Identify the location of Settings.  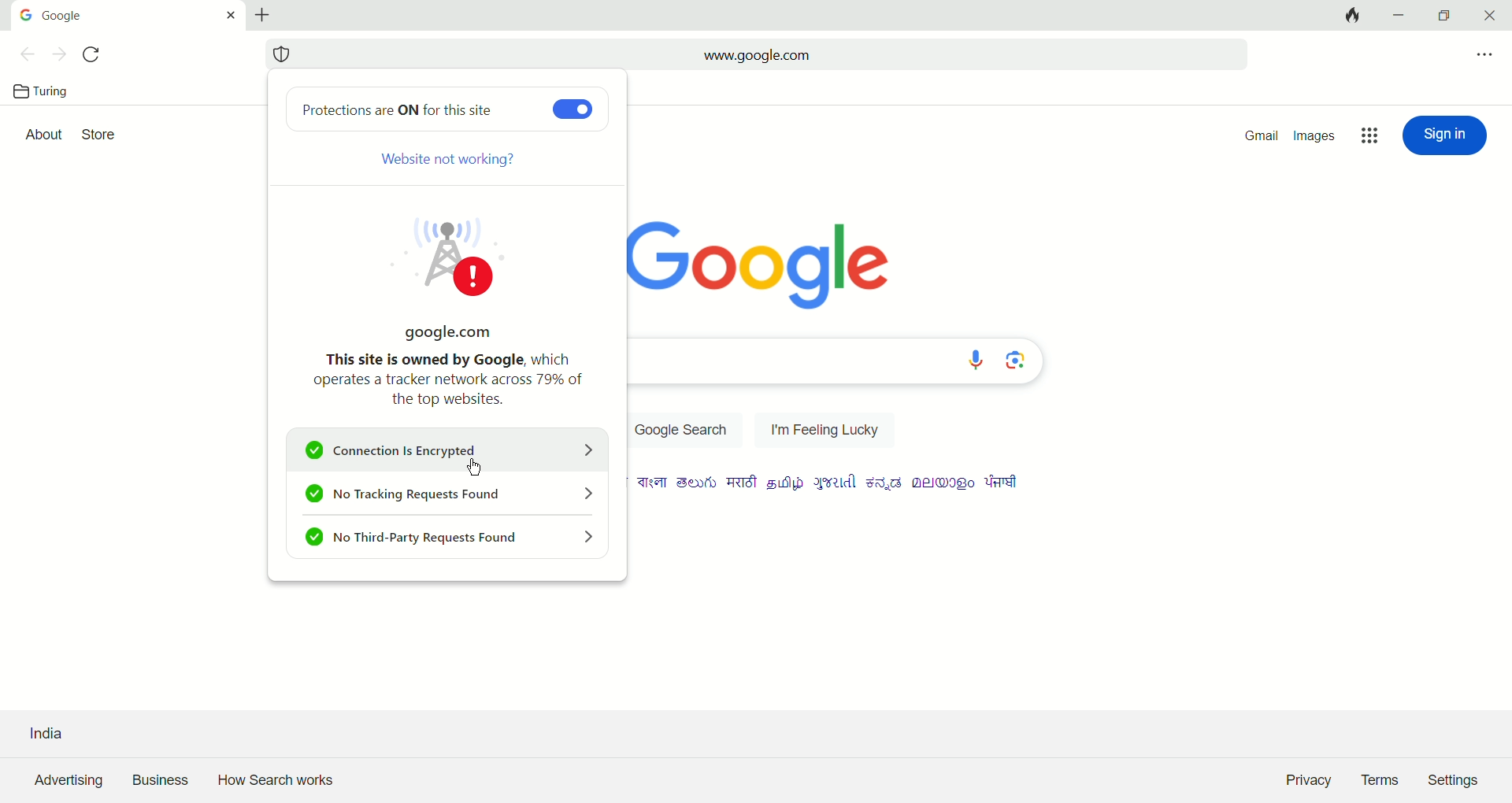
(1458, 778).